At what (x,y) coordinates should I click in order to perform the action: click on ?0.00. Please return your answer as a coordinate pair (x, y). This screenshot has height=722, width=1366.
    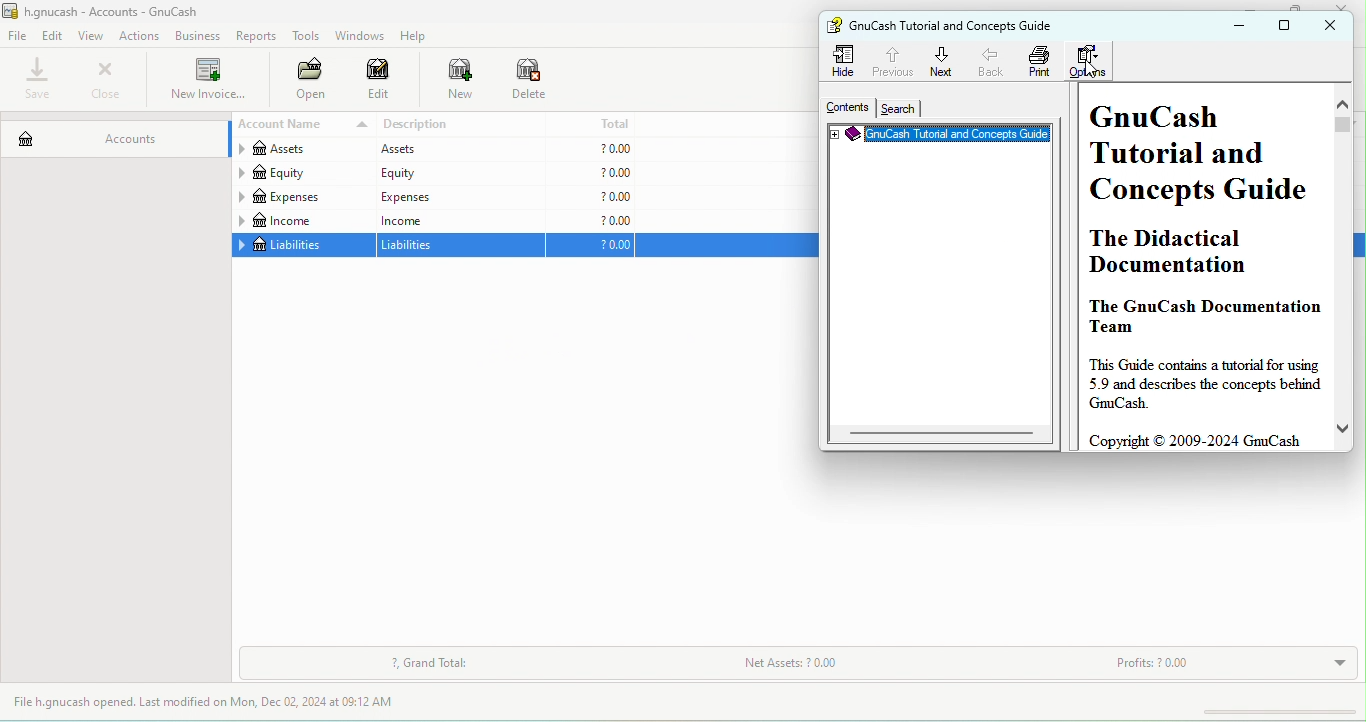
    Looking at the image, I should click on (590, 174).